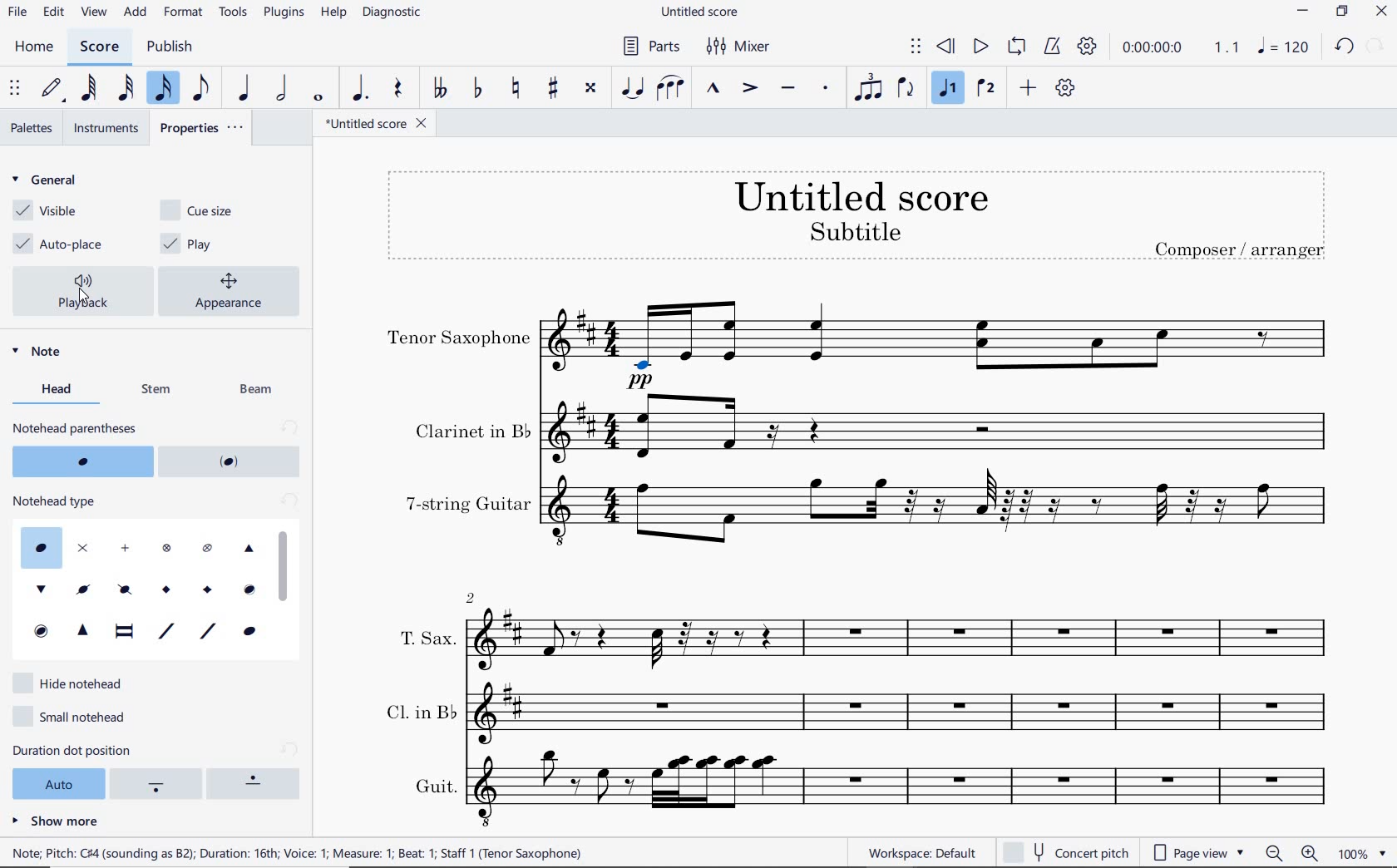 The image size is (1397, 868). Describe the element at coordinates (908, 635) in the screenshot. I see `t.sax.` at that location.